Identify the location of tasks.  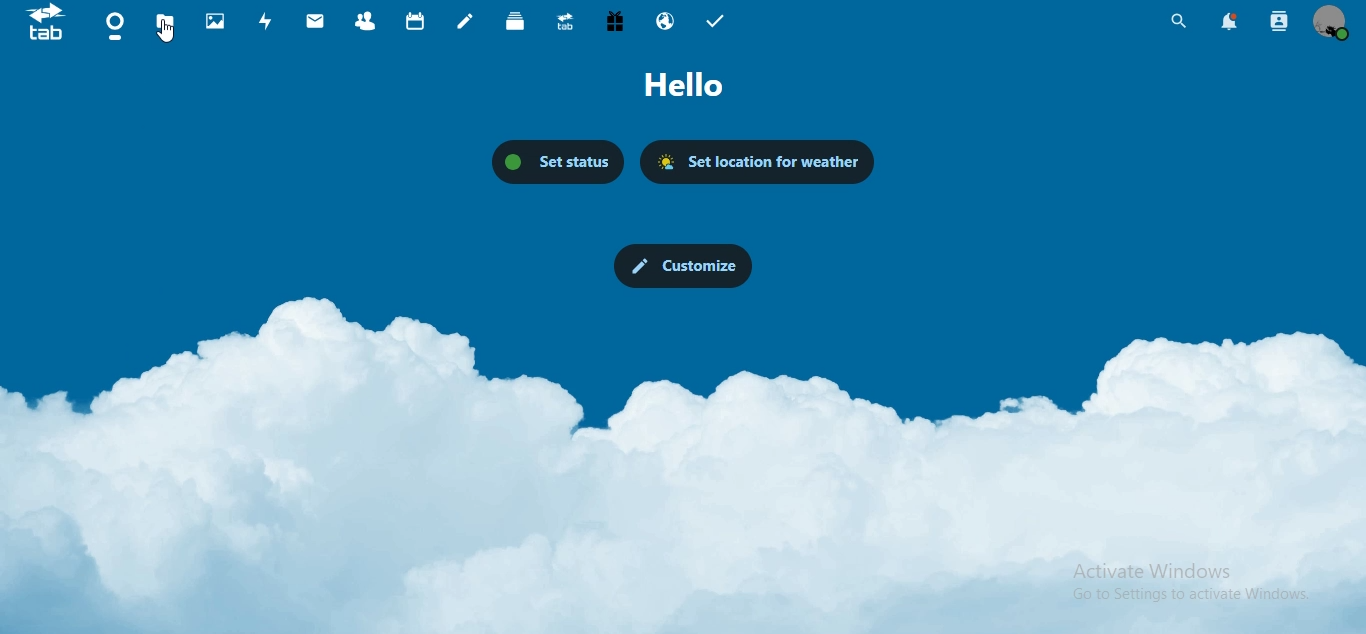
(714, 21).